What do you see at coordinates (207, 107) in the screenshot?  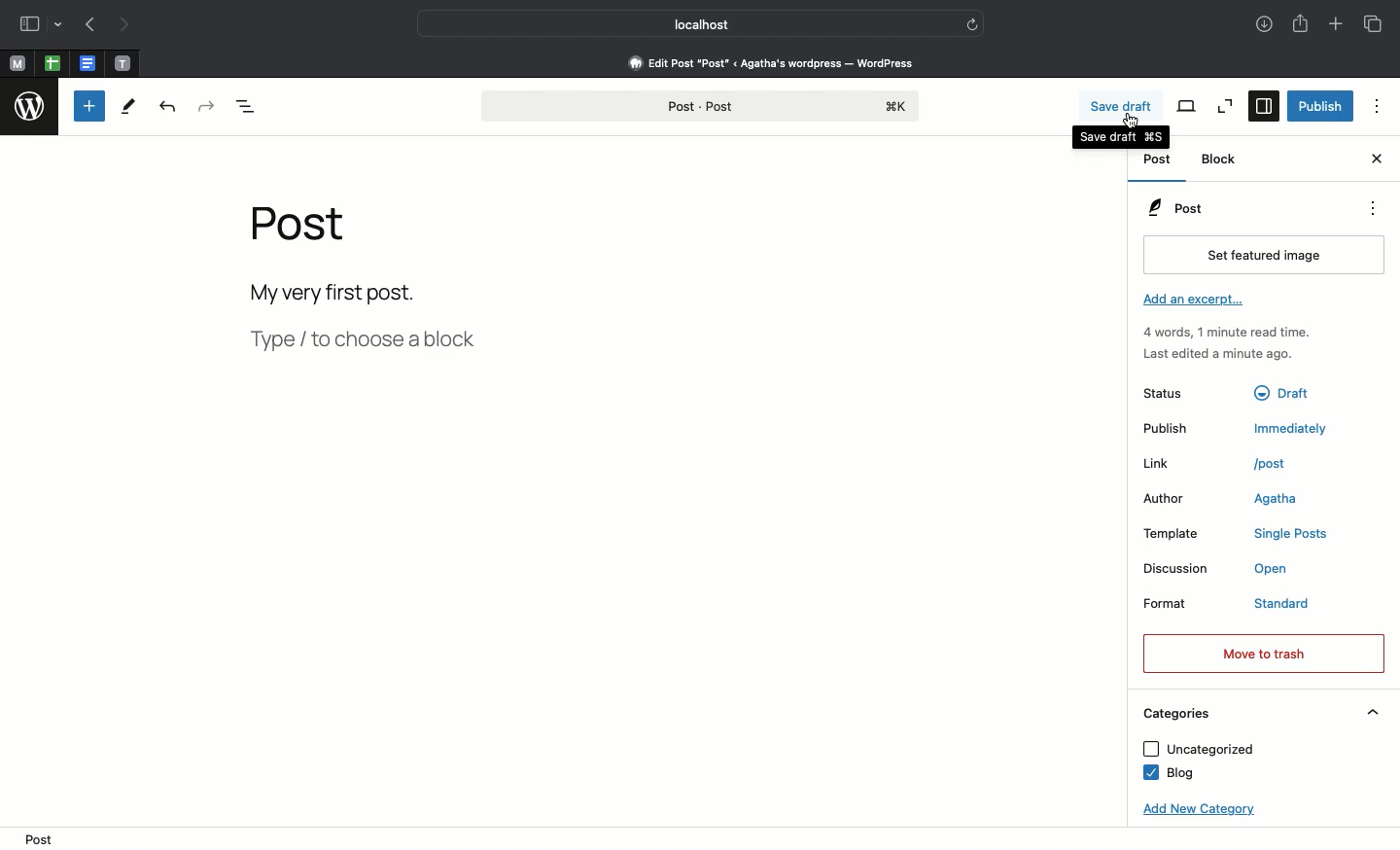 I see `Redo` at bounding box center [207, 107].